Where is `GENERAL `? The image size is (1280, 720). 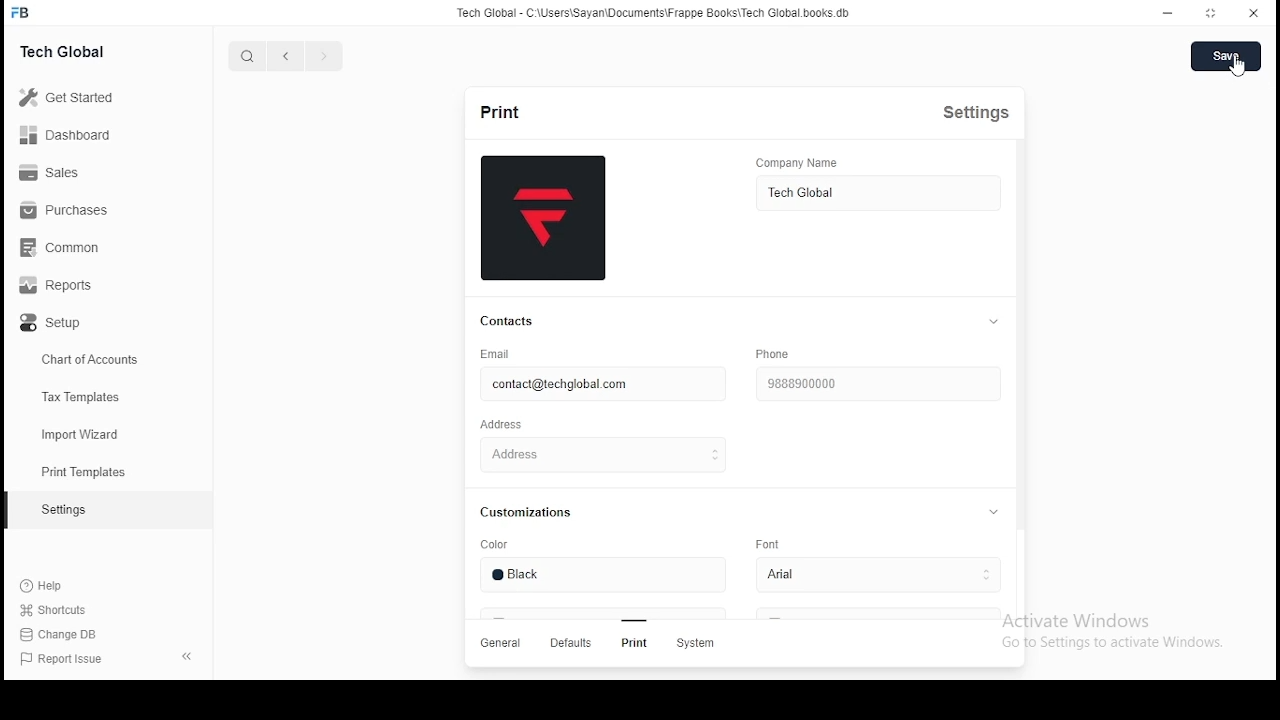
GENERAL  is located at coordinates (503, 645).